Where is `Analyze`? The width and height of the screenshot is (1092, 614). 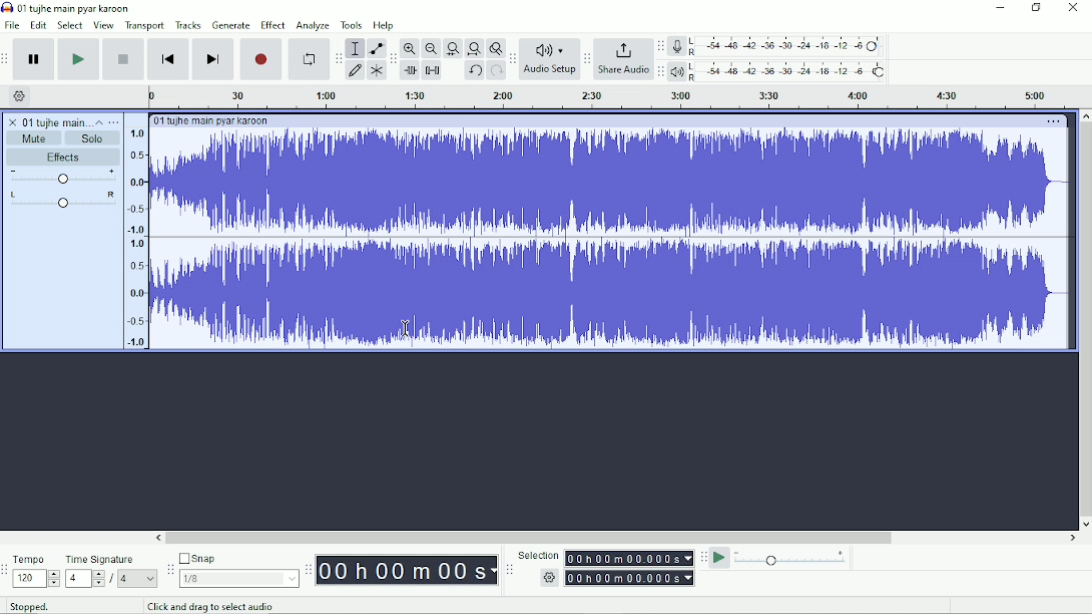 Analyze is located at coordinates (313, 25).